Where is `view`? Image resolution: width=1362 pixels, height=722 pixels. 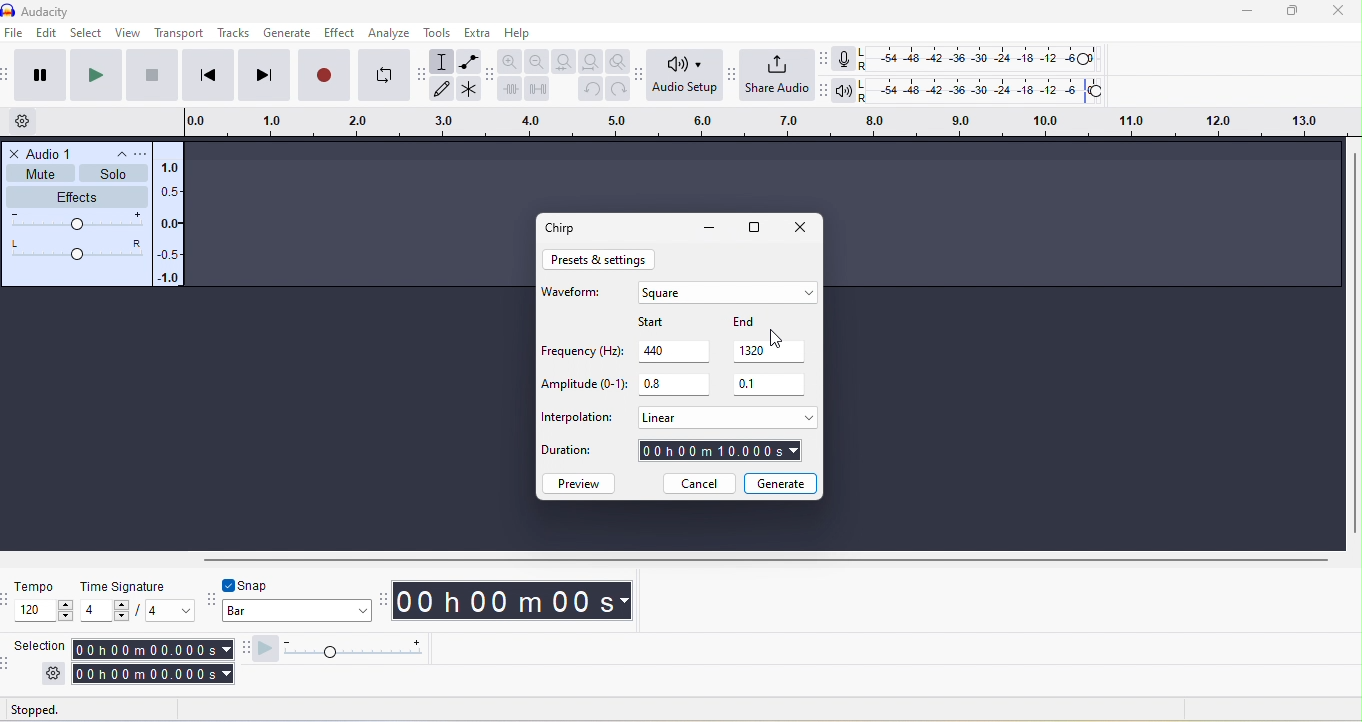 view is located at coordinates (126, 32).